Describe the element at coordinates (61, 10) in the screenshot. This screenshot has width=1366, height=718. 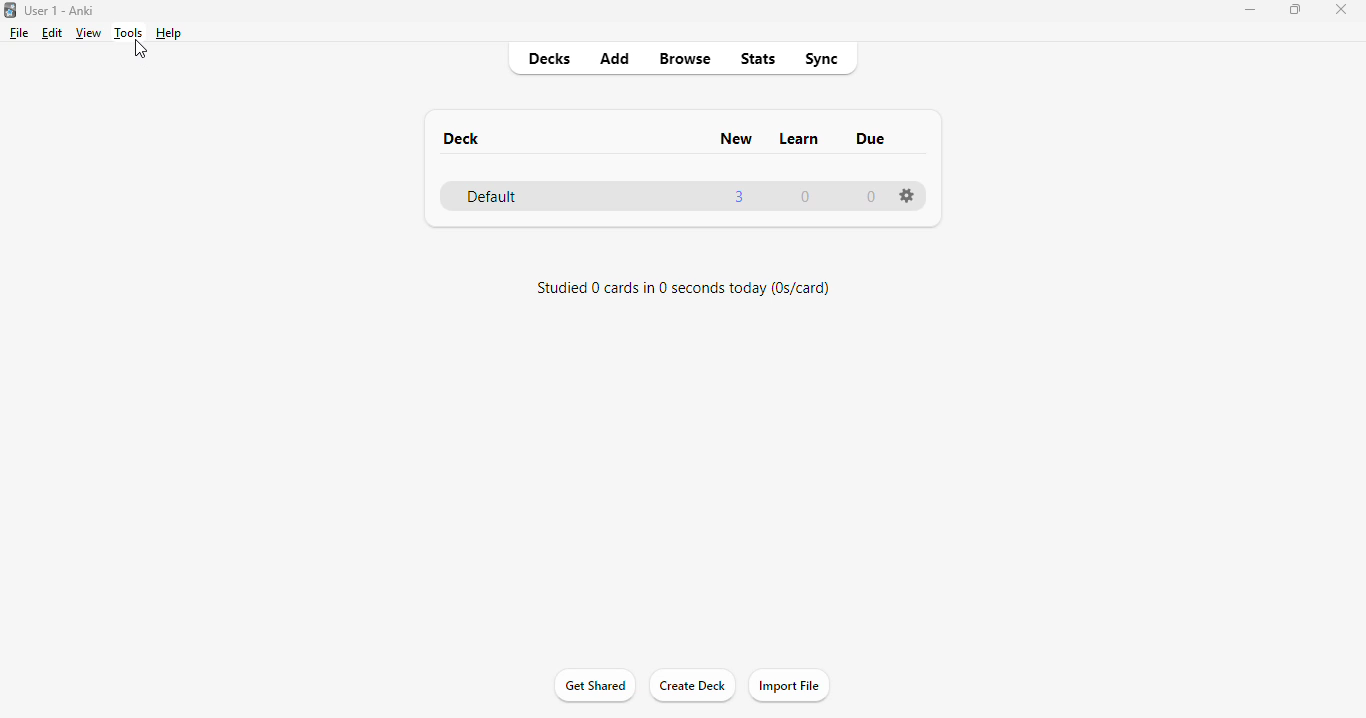
I see `User 1 - Anki` at that location.